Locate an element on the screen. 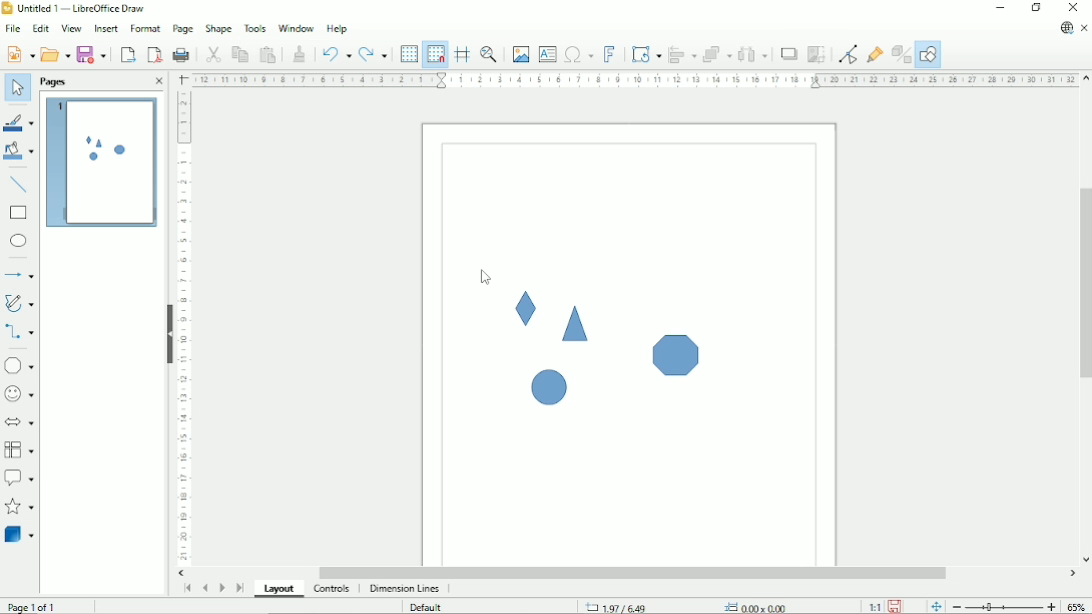  Display grid is located at coordinates (408, 54).